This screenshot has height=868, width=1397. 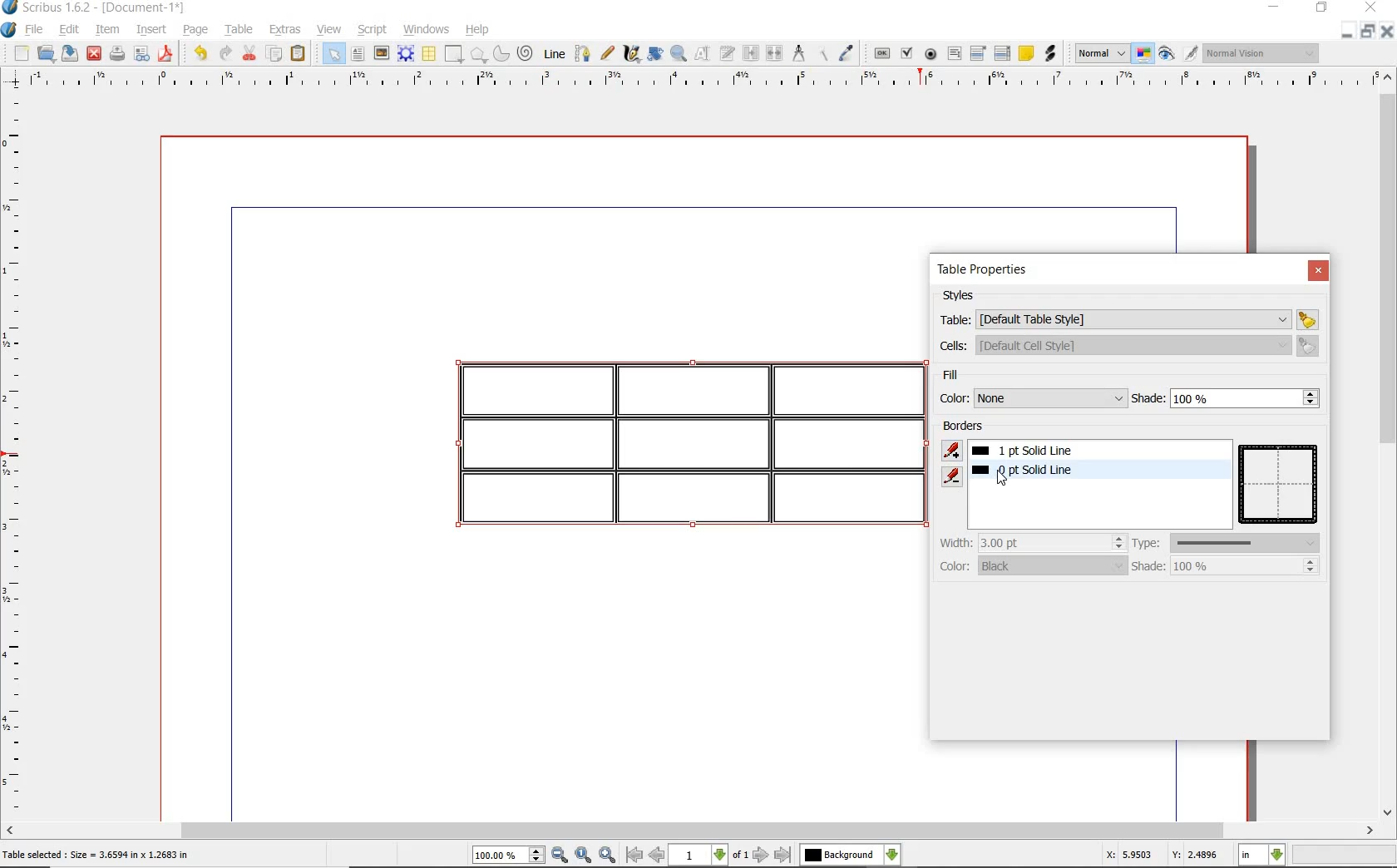 I want to click on pdf text field, so click(x=954, y=54).